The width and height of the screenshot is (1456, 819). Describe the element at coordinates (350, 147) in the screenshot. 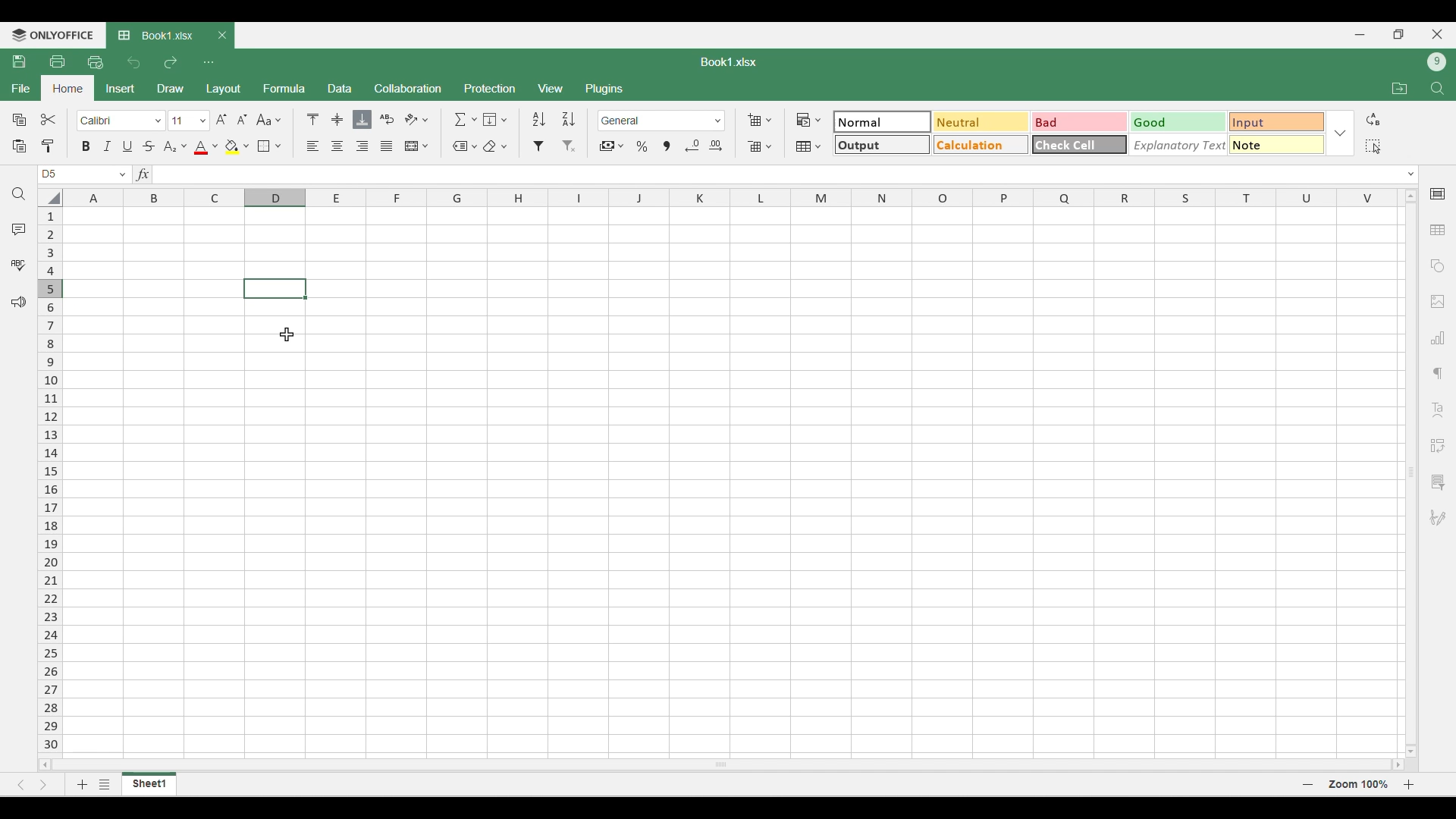

I see `Alignment options` at that location.